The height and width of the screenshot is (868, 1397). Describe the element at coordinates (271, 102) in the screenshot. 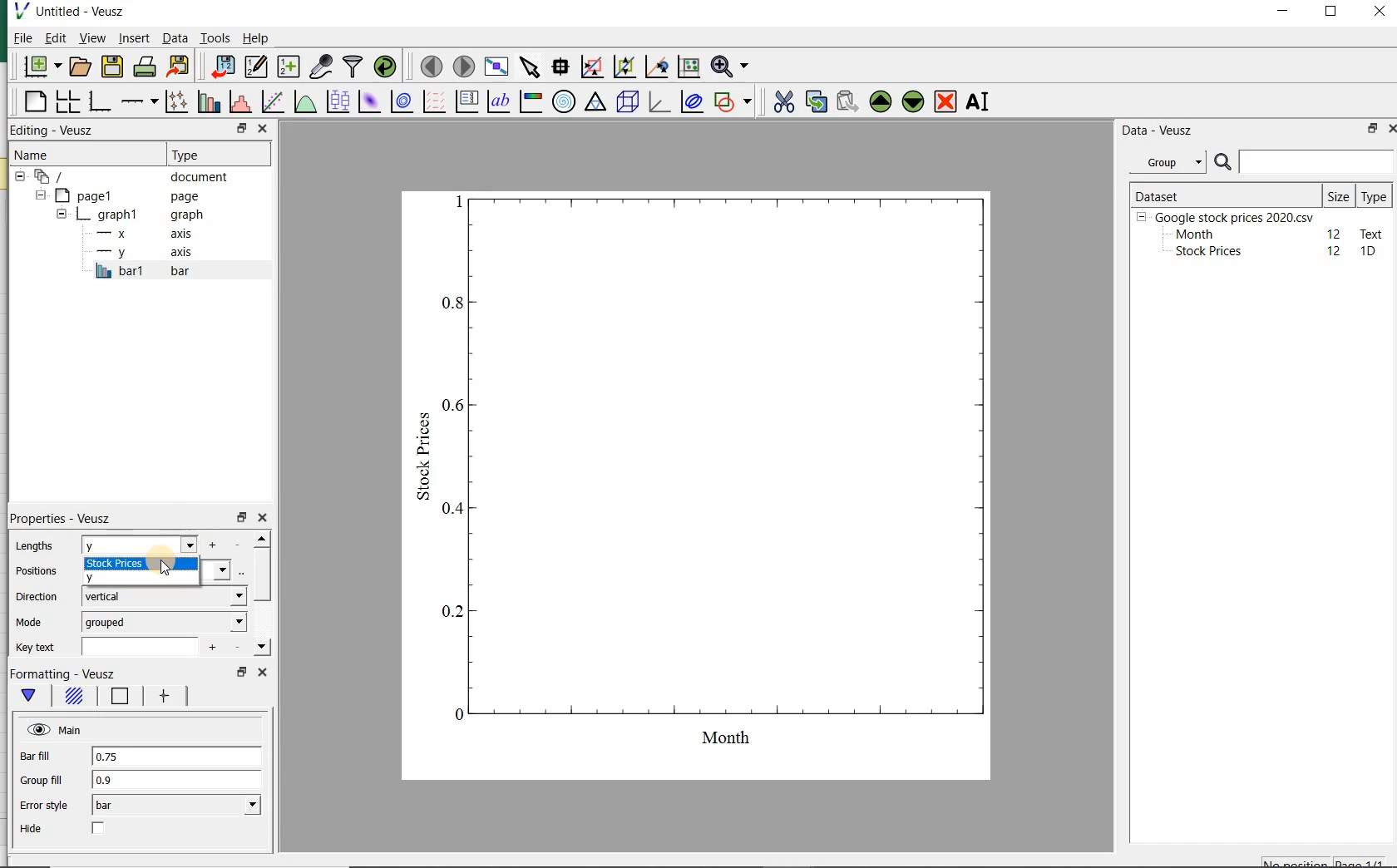

I see `fit a function to data` at that location.